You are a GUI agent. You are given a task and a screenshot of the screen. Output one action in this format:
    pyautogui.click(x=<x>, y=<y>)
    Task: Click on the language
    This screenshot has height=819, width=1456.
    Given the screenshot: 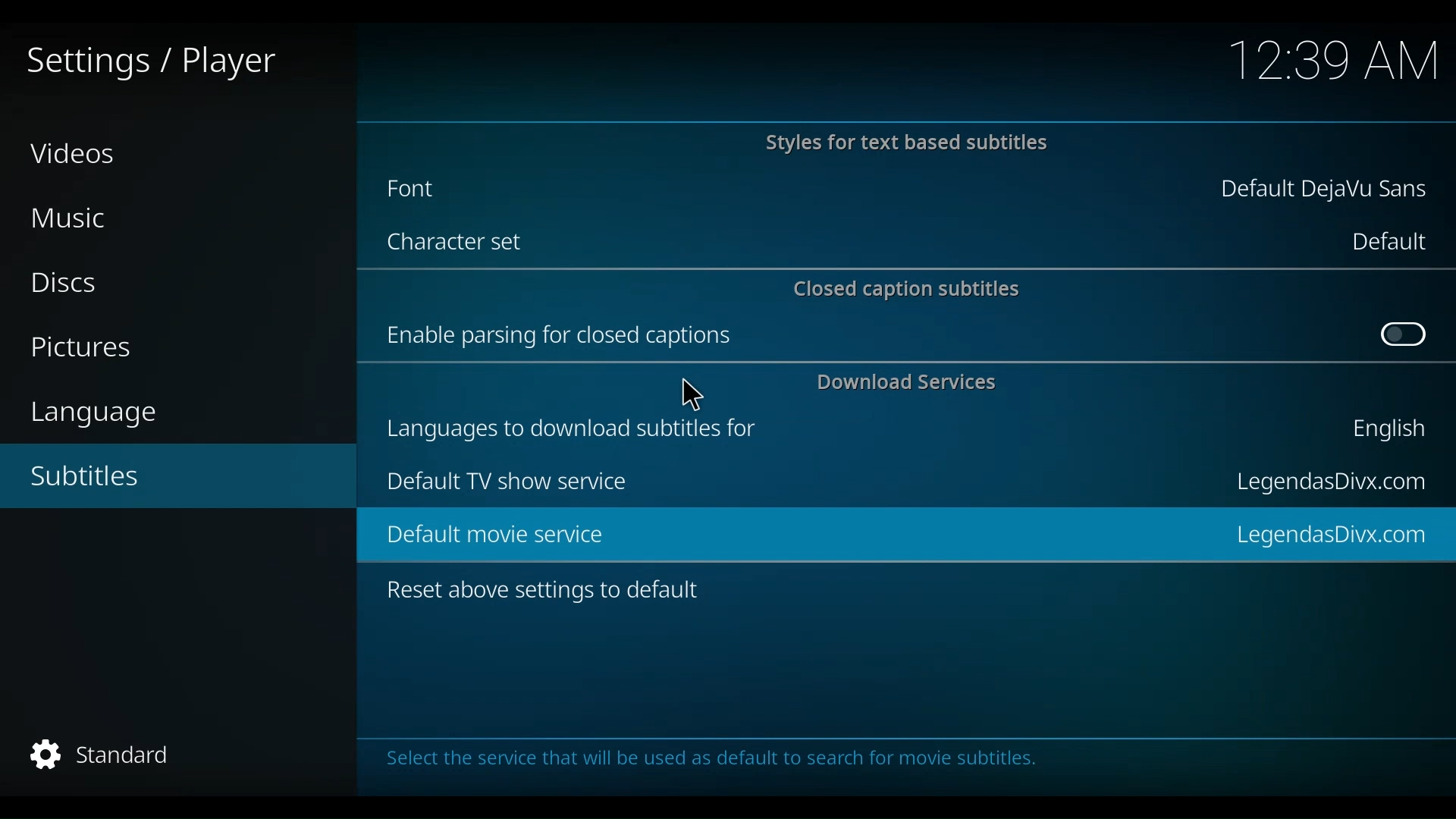 What is the action you would take?
    pyautogui.click(x=102, y=413)
    